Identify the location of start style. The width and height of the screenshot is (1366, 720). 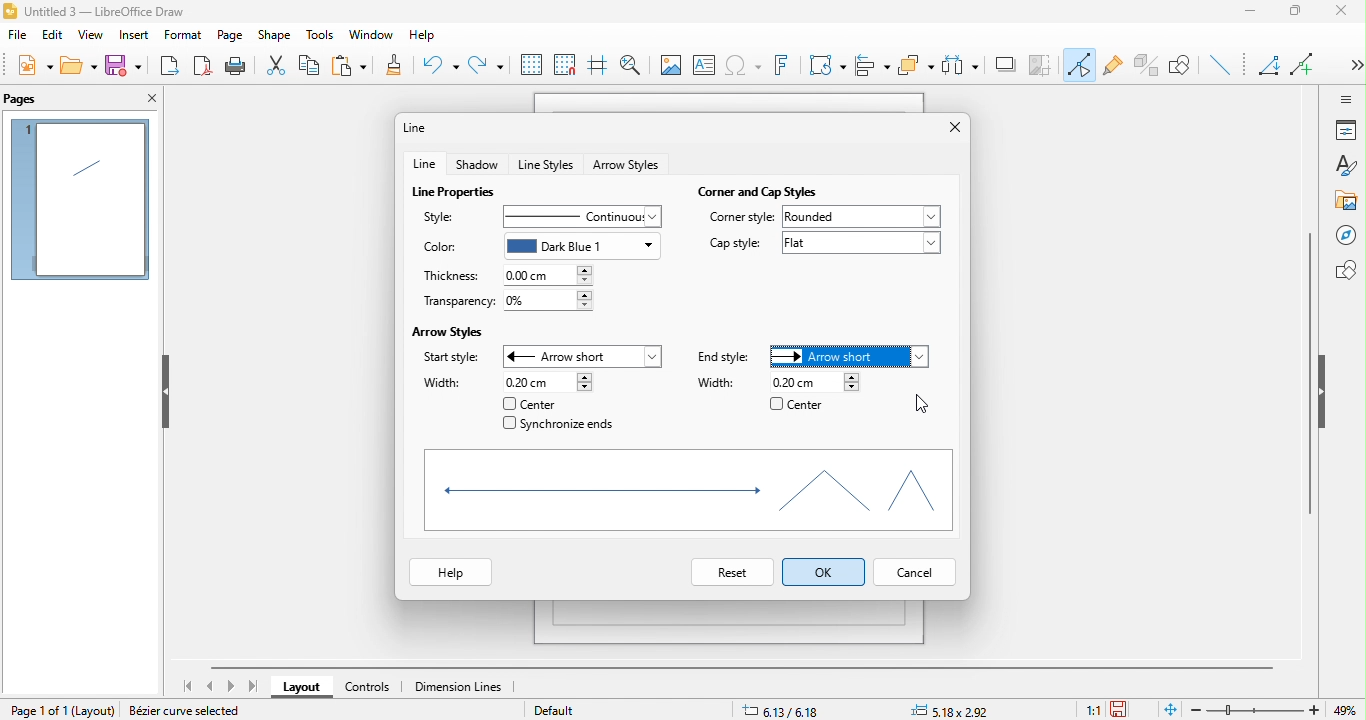
(450, 358).